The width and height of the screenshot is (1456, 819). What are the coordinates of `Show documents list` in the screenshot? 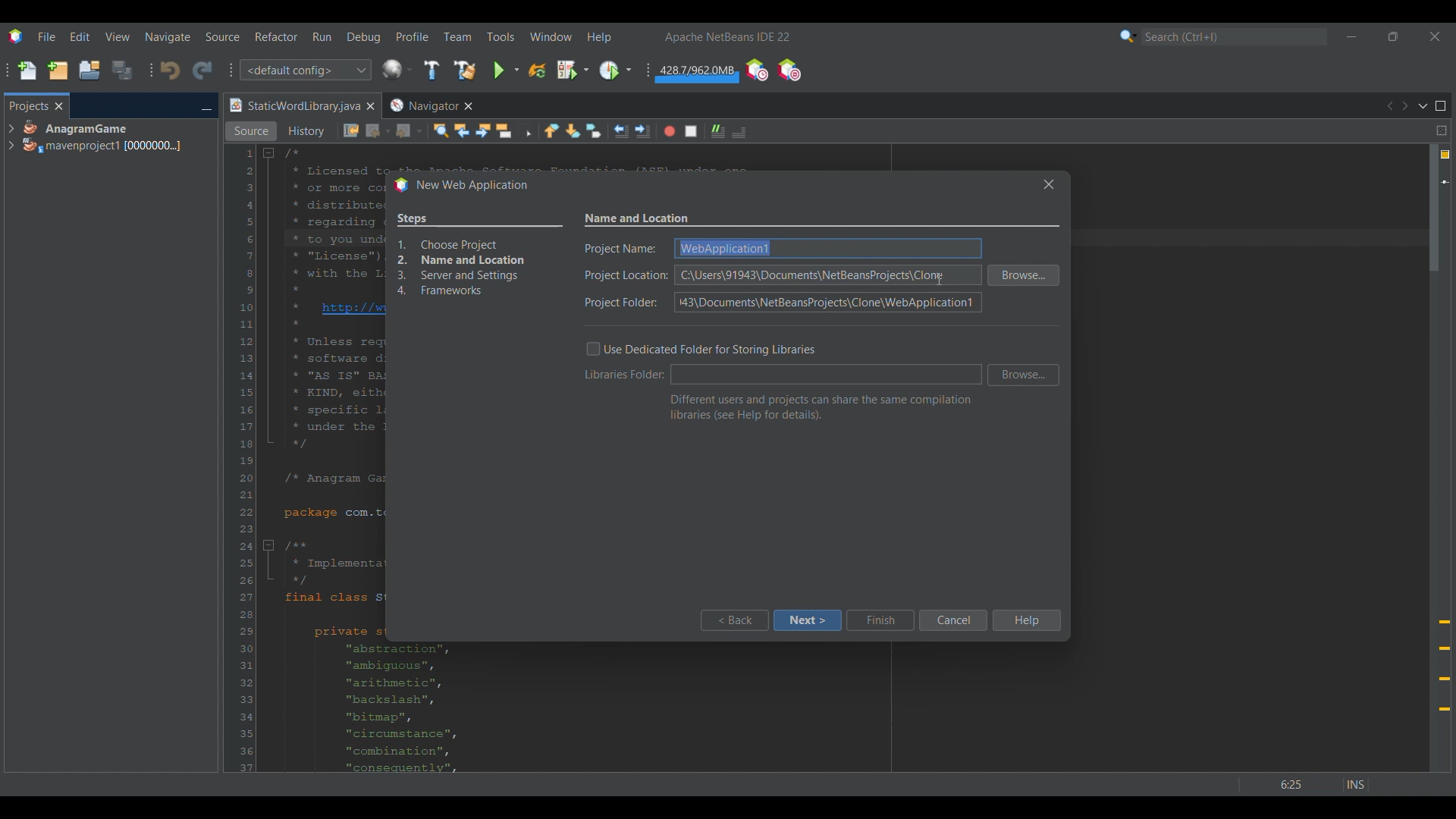 It's located at (1423, 105).